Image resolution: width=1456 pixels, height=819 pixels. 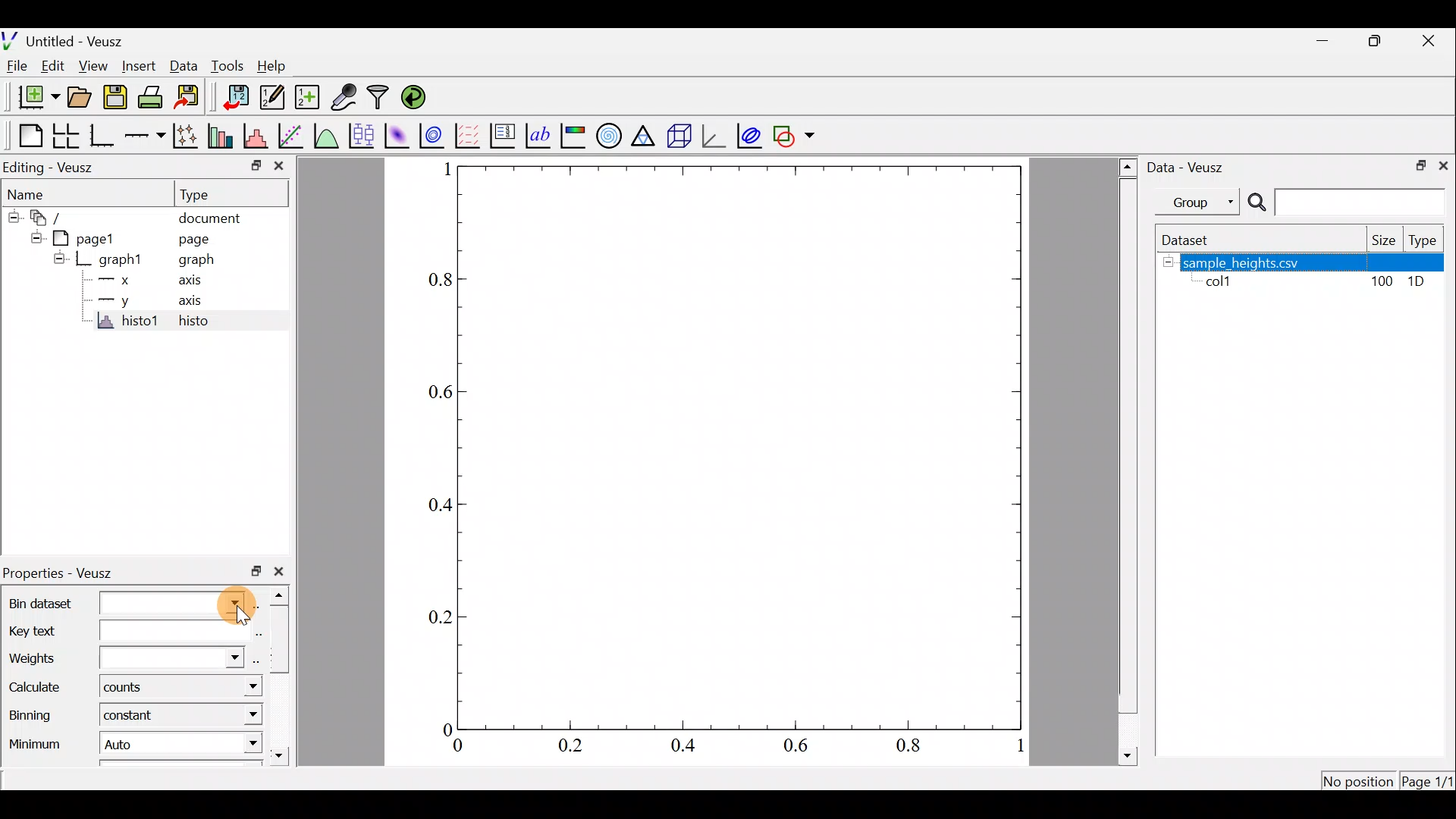 What do you see at coordinates (749, 136) in the screenshot?
I see `plot covariance ellipses` at bounding box center [749, 136].